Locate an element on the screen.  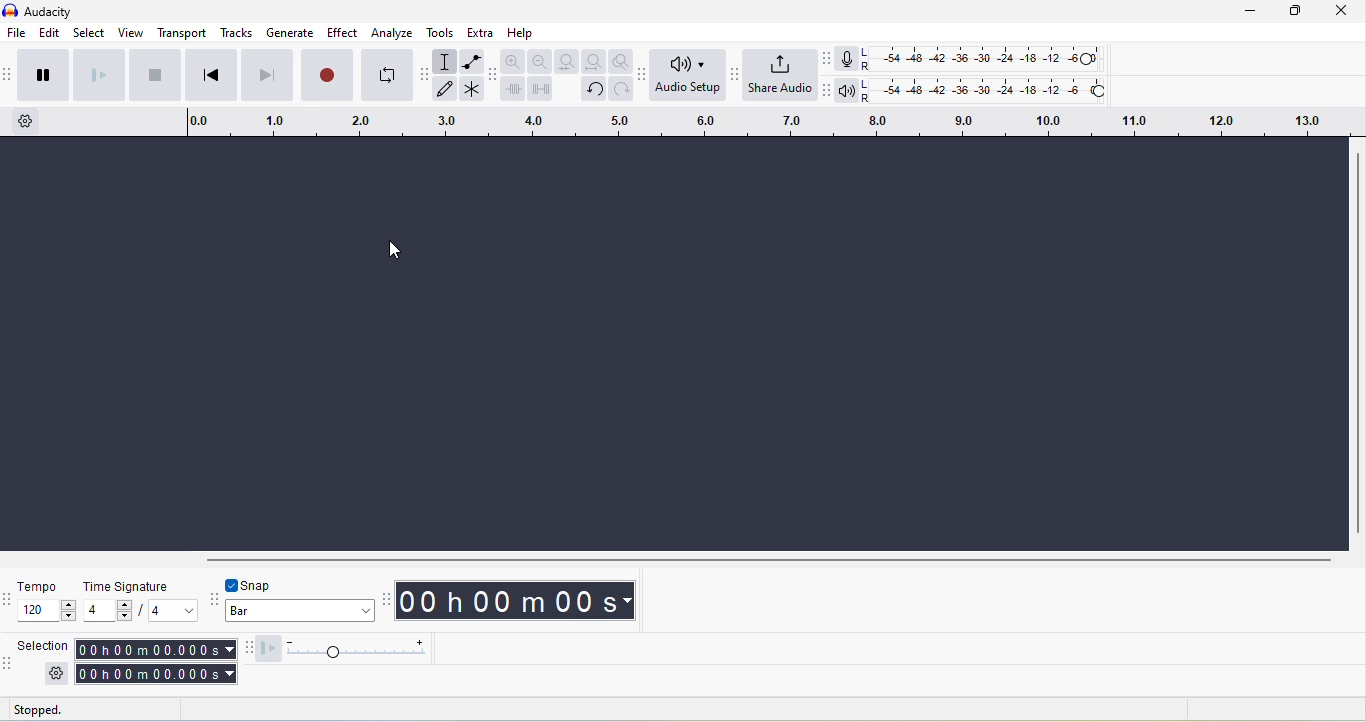
skip to end is located at coordinates (267, 75).